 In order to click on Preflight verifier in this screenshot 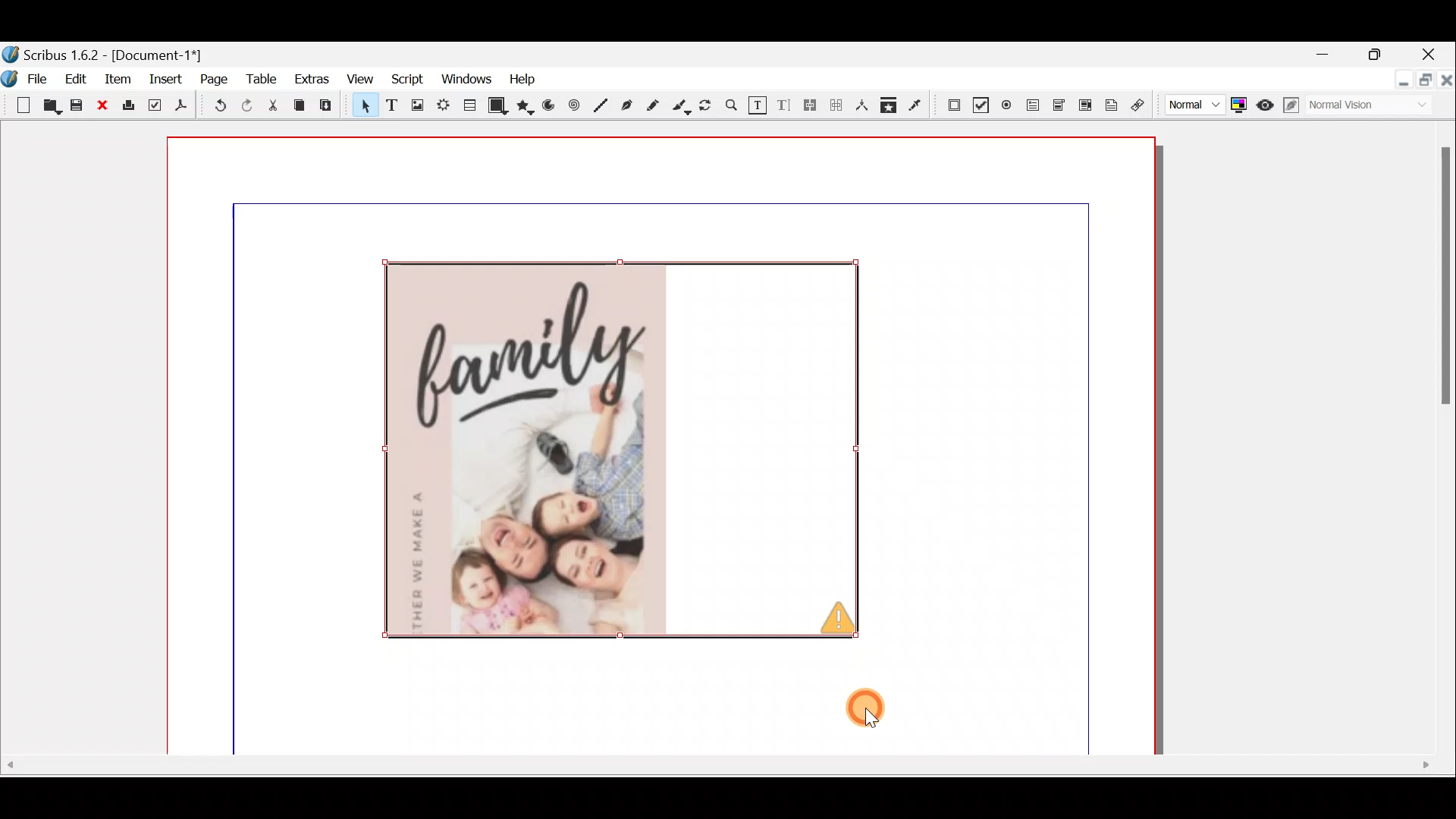, I will do `click(152, 108)`.